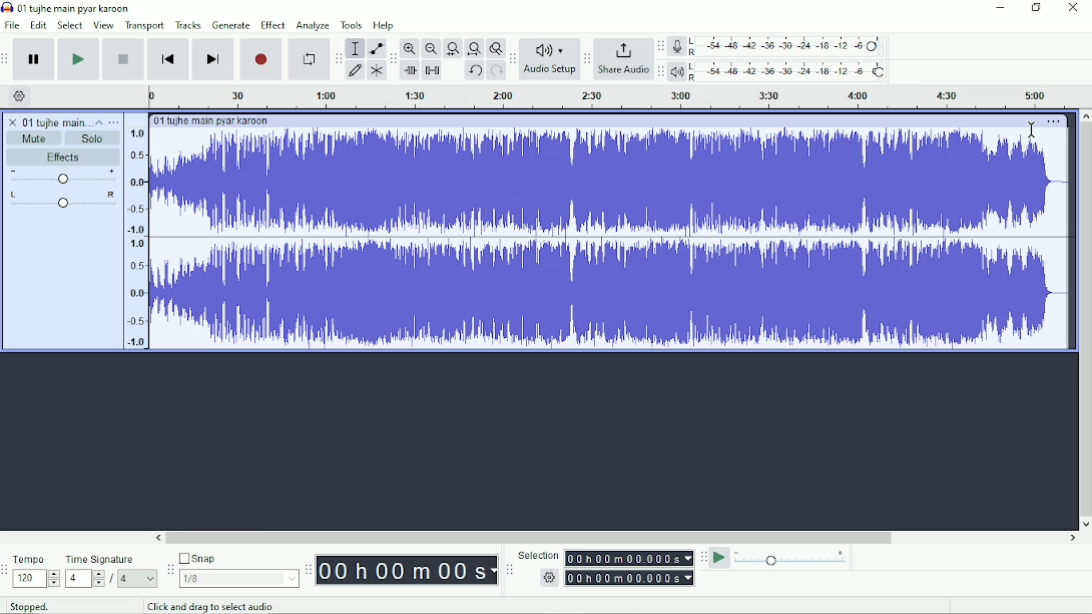 The width and height of the screenshot is (1092, 614). What do you see at coordinates (409, 48) in the screenshot?
I see `Zoom In` at bounding box center [409, 48].